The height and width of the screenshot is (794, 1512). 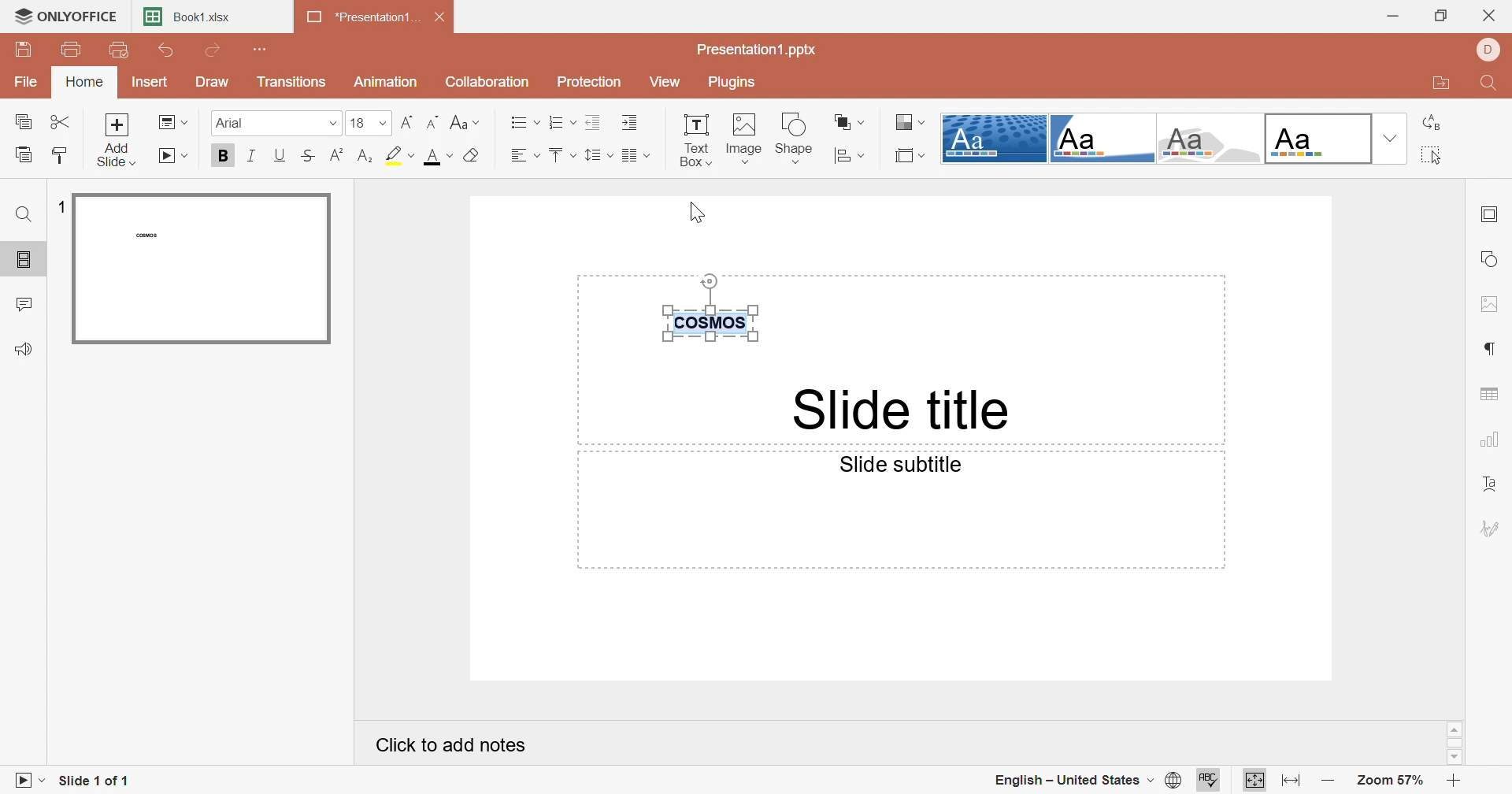 What do you see at coordinates (335, 157) in the screenshot?
I see `Superscript` at bounding box center [335, 157].